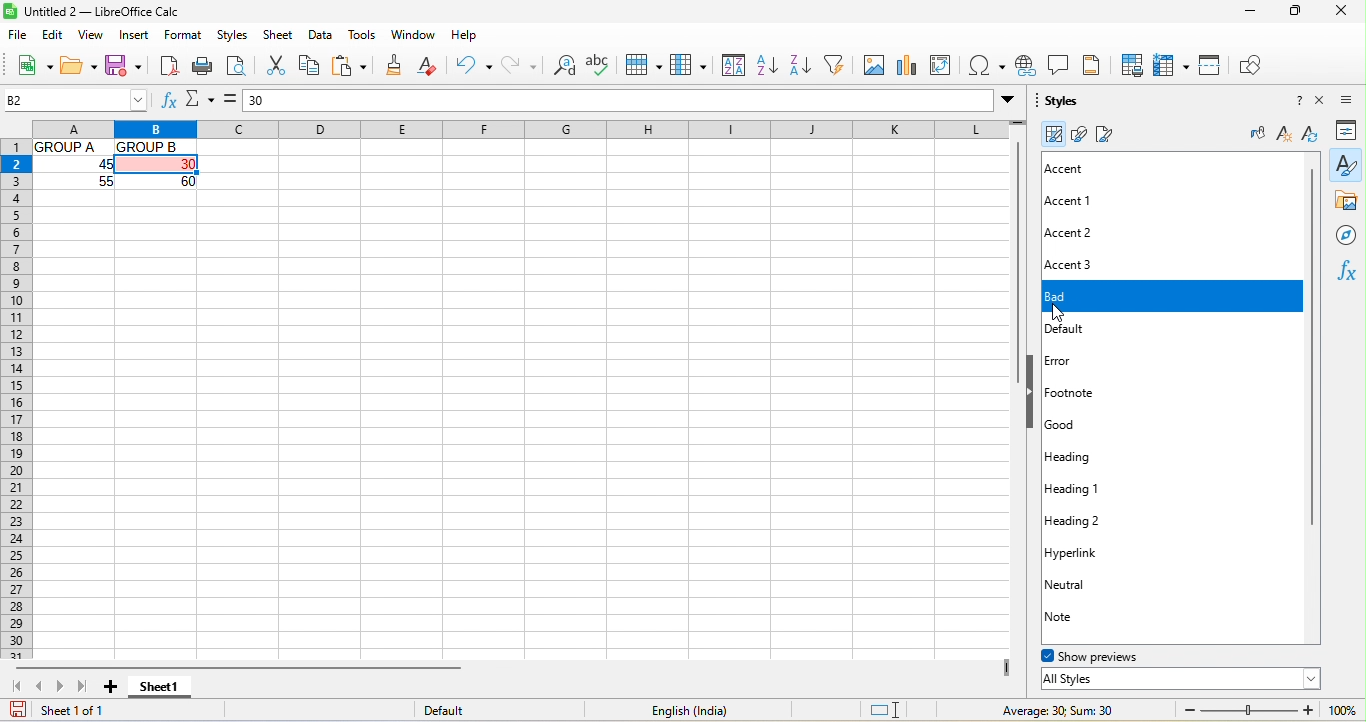 This screenshot has width=1366, height=722. I want to click on standard selection, so click(882, 708).